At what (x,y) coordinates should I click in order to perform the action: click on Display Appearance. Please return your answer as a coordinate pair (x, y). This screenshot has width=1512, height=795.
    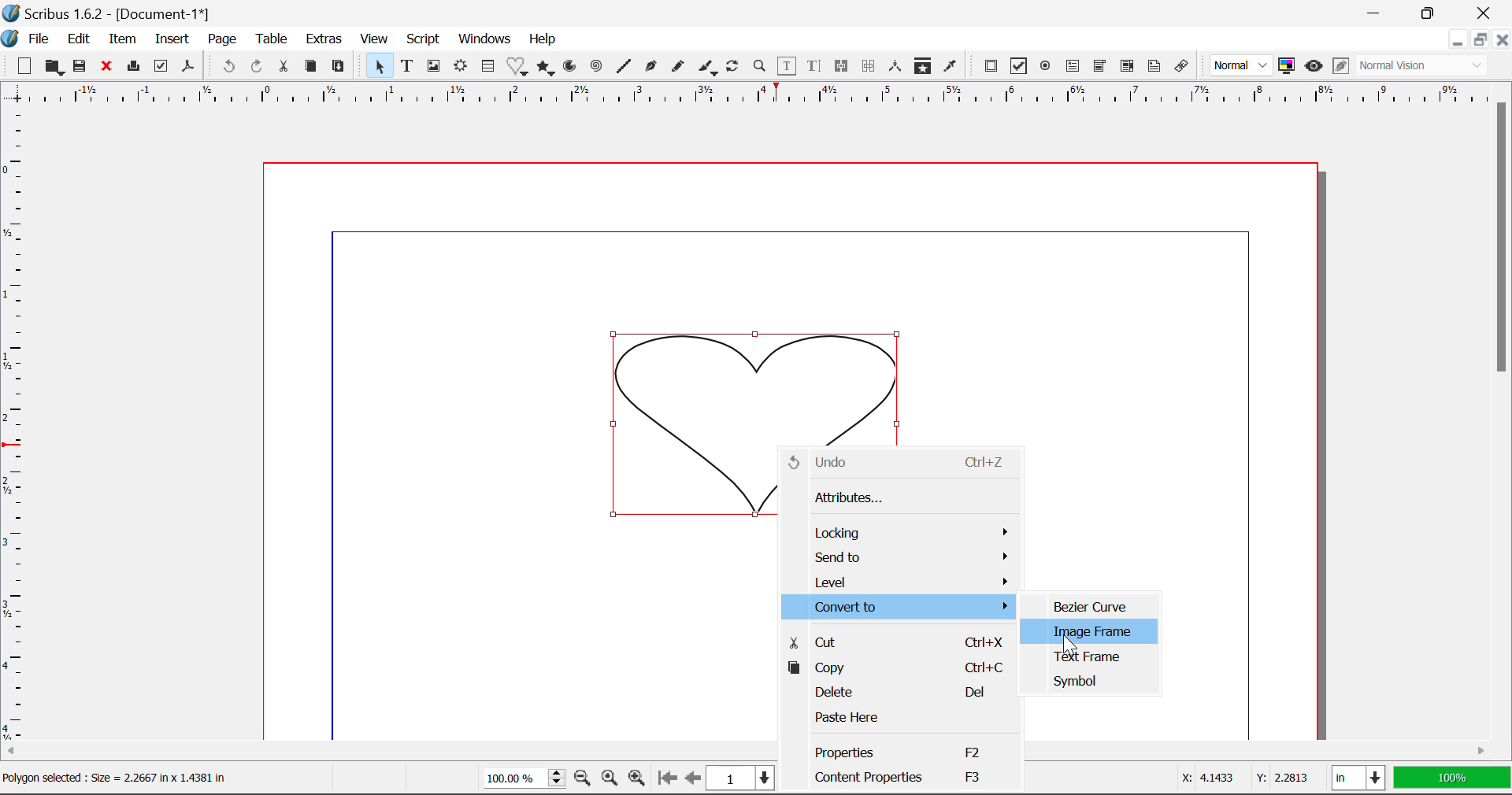
    Looking at the image, I should click on (1451, 779).